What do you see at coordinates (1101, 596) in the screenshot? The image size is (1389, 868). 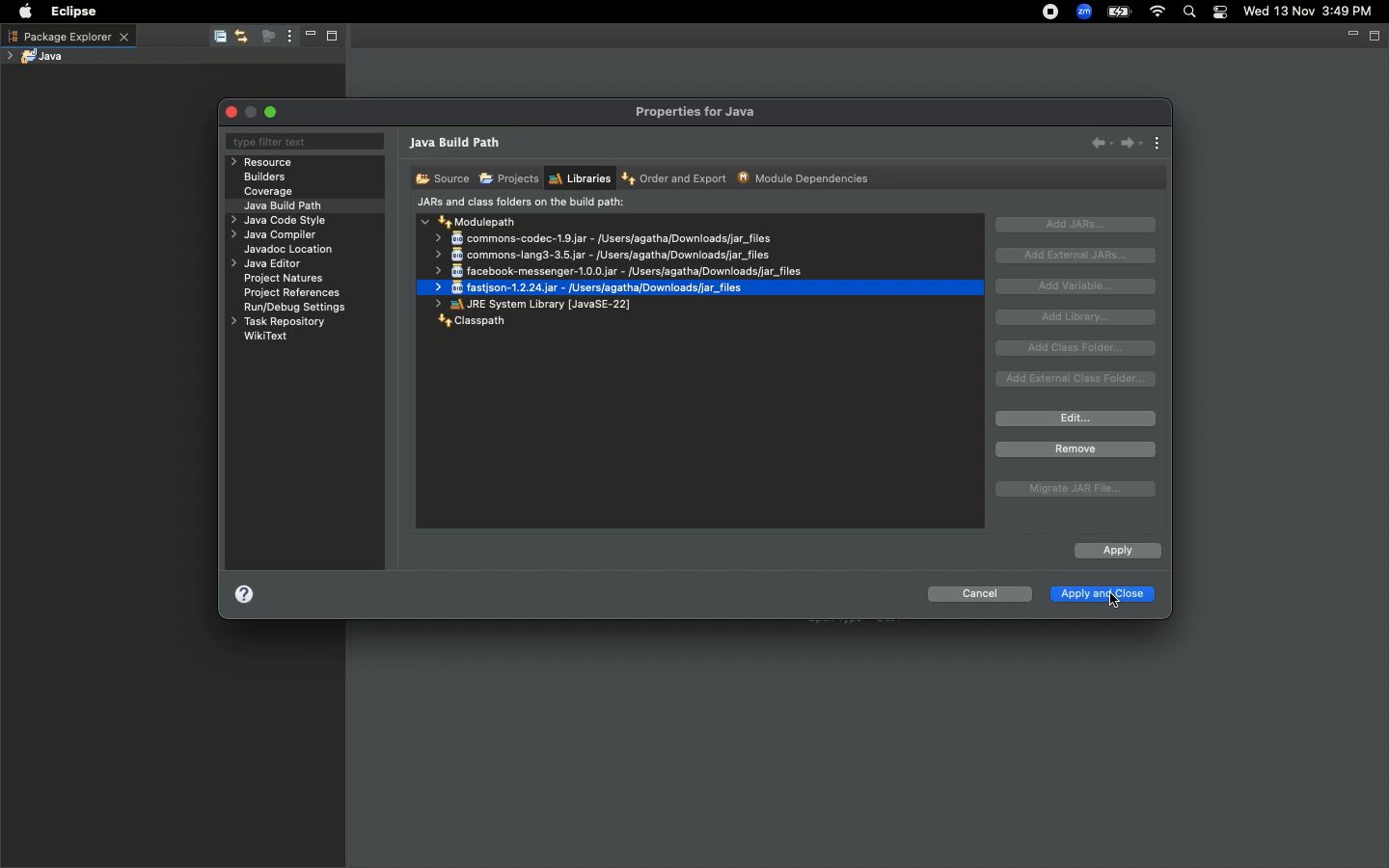 I see `Apply and close` at bounding box center [1101, 596].